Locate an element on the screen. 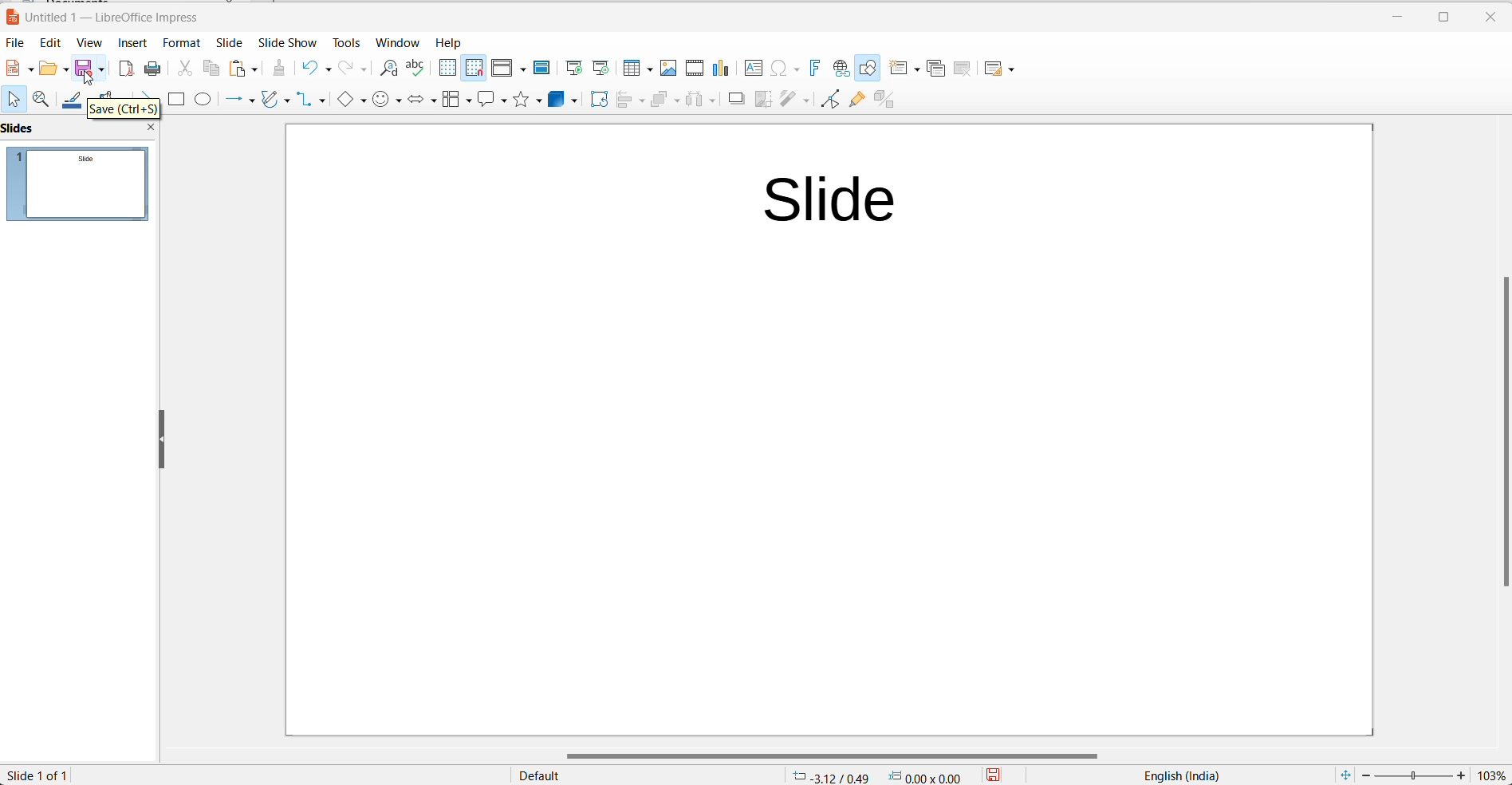 This screenshot has height=785, width=1512. slides is located at coordinates (19, 126).